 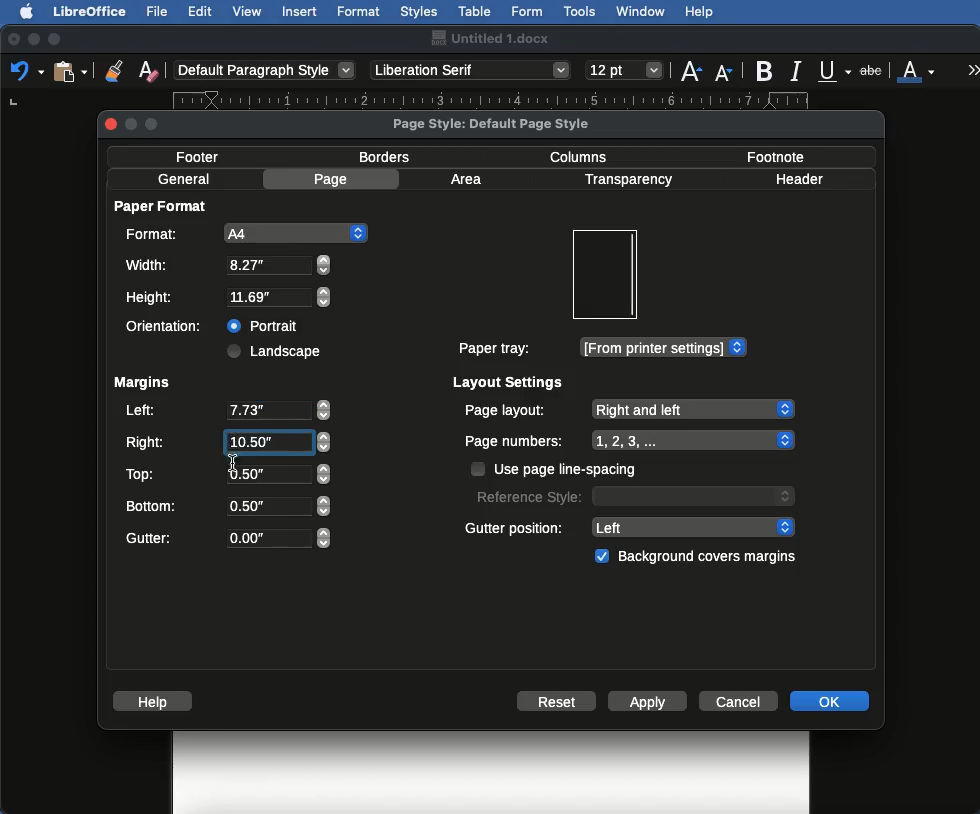 I want to click on Header, so click(x=799, y=179).